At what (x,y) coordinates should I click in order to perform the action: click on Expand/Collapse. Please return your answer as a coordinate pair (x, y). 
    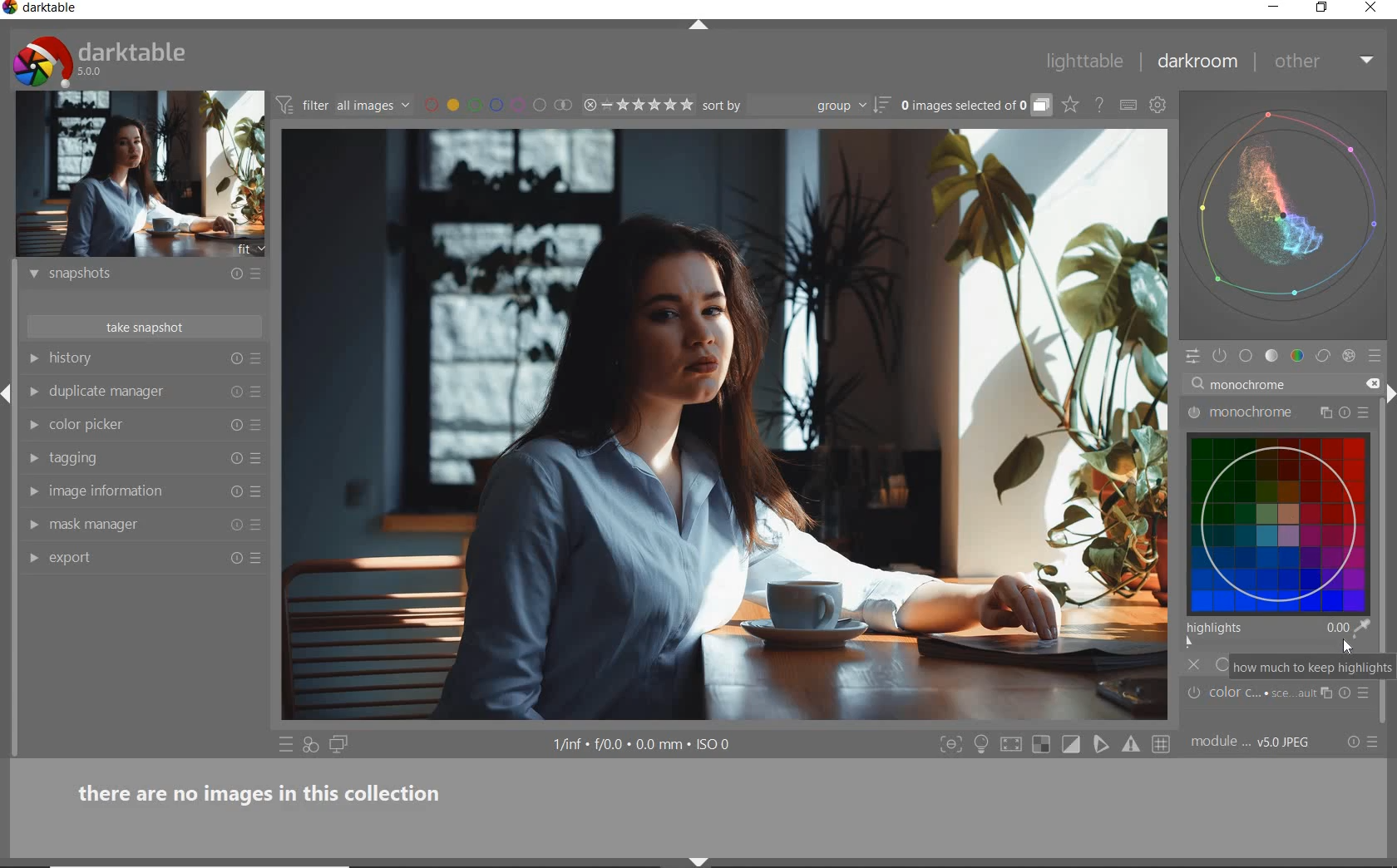
    Looking at the image, I should click on (8, 389).